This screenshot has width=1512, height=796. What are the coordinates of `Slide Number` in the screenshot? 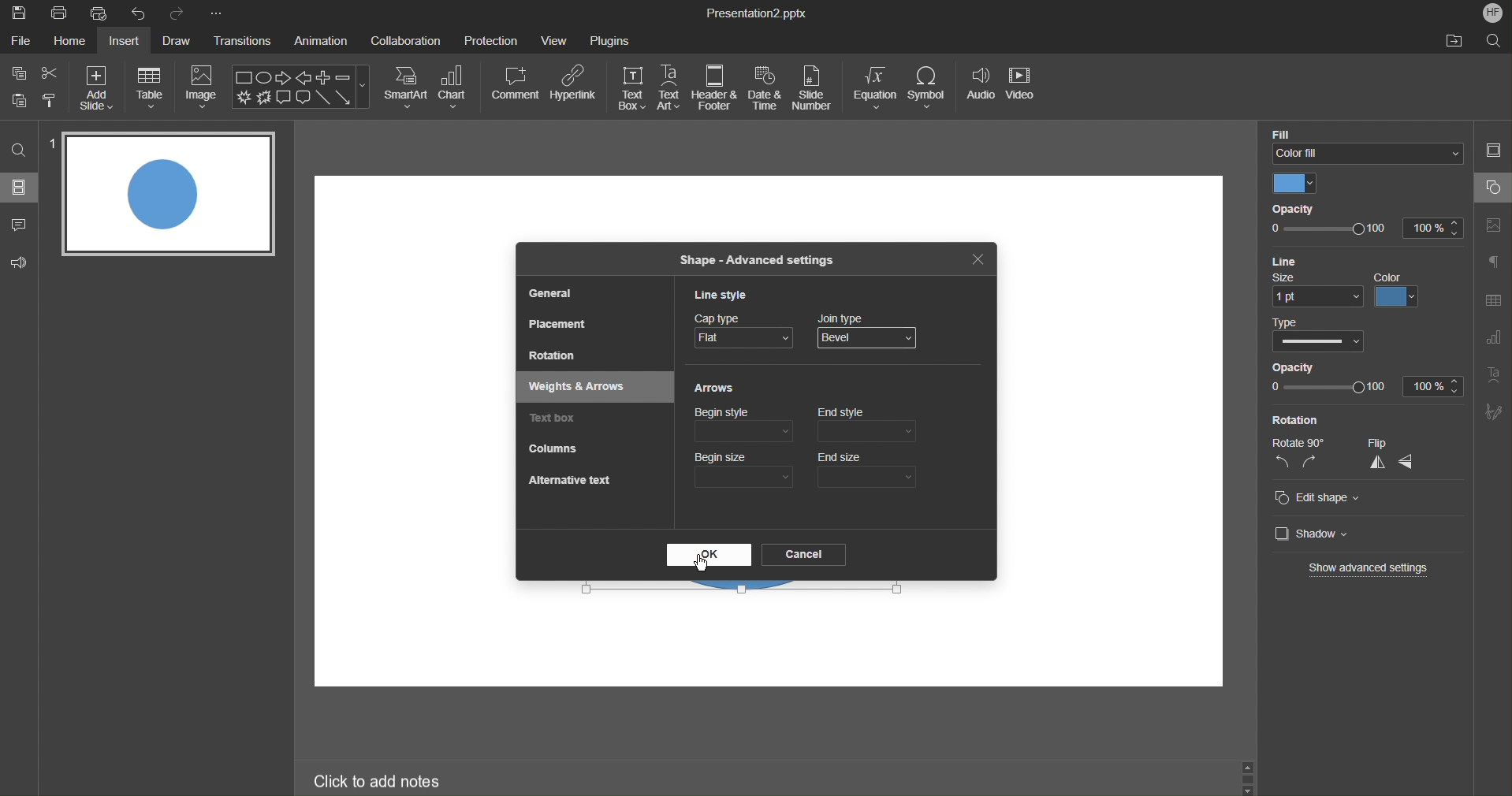 It's located at (815, 89).